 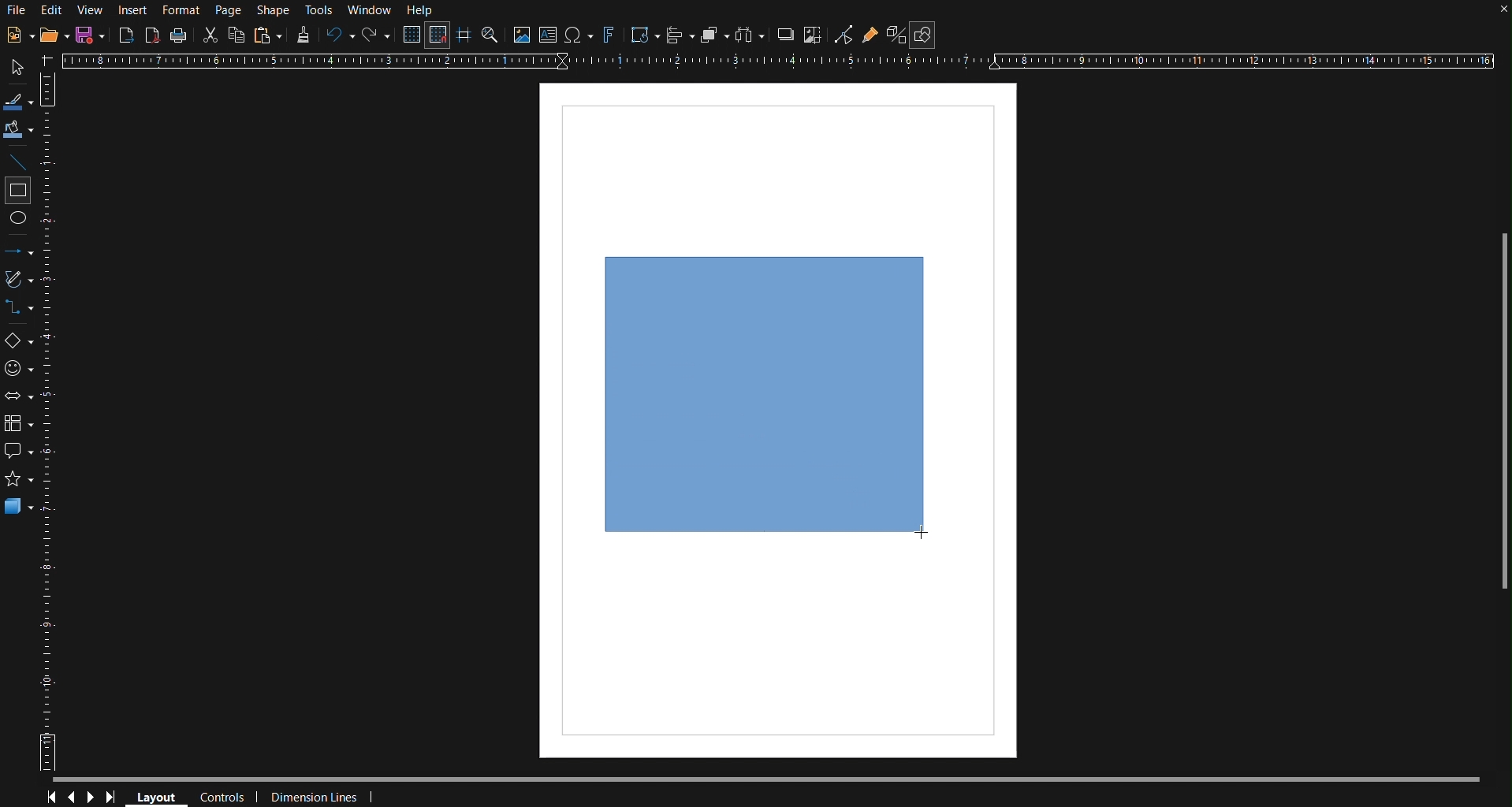 I want to click on Callout Shapes, so click(x=20, y=450).